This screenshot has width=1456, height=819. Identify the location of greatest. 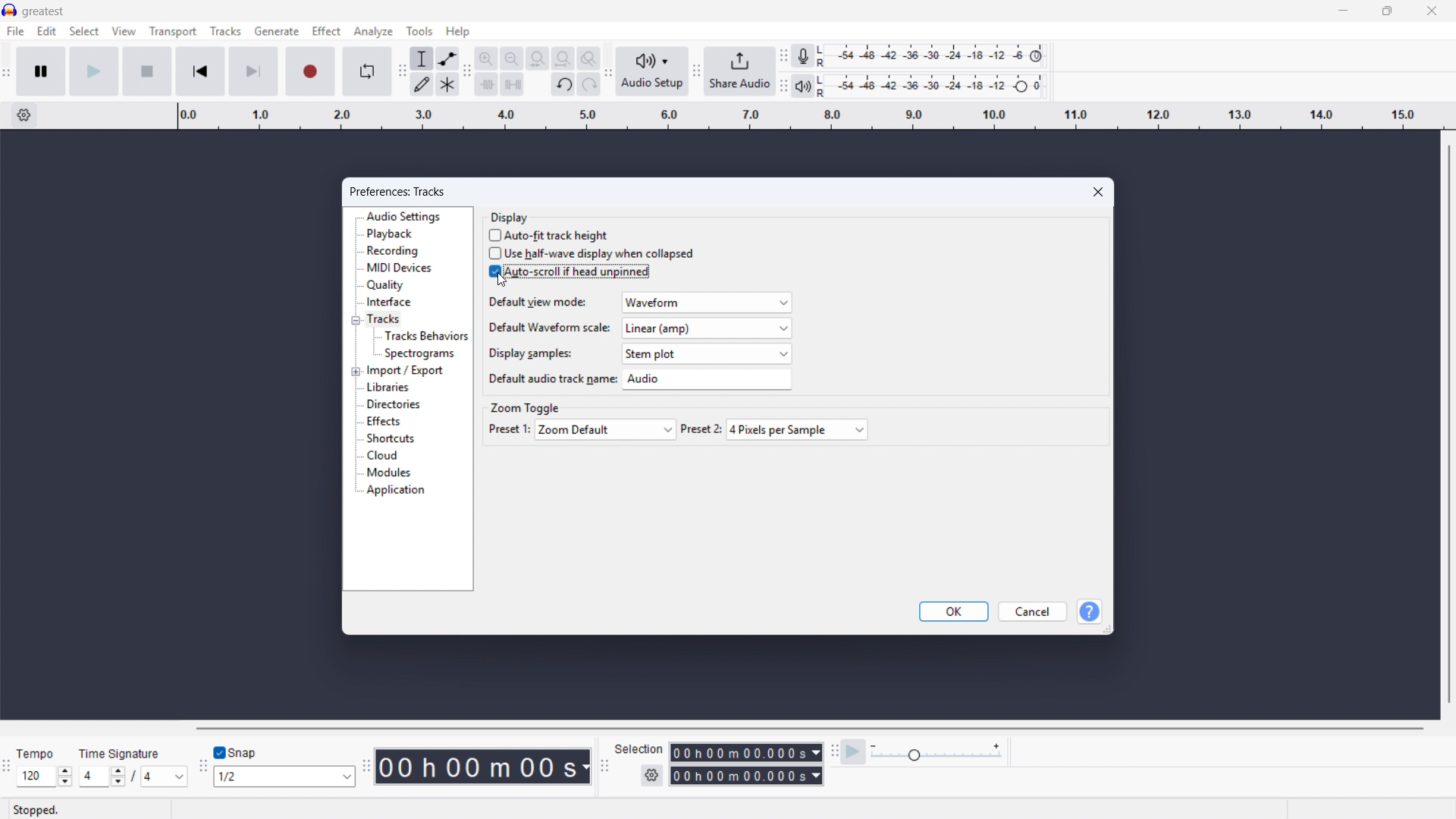
(44, 11).